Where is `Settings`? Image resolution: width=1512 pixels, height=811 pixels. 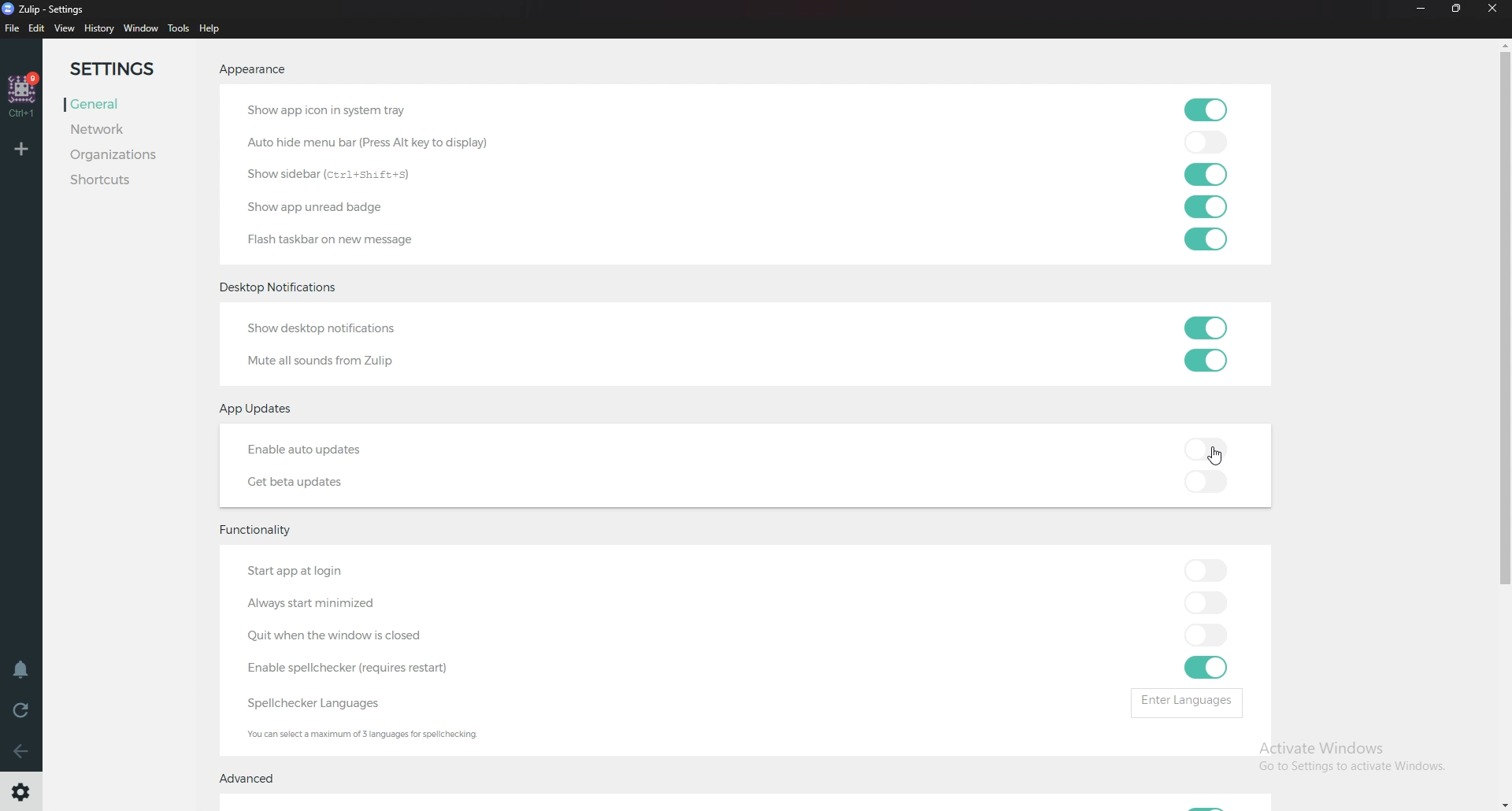
Settings is located at coordinates (20, 794).